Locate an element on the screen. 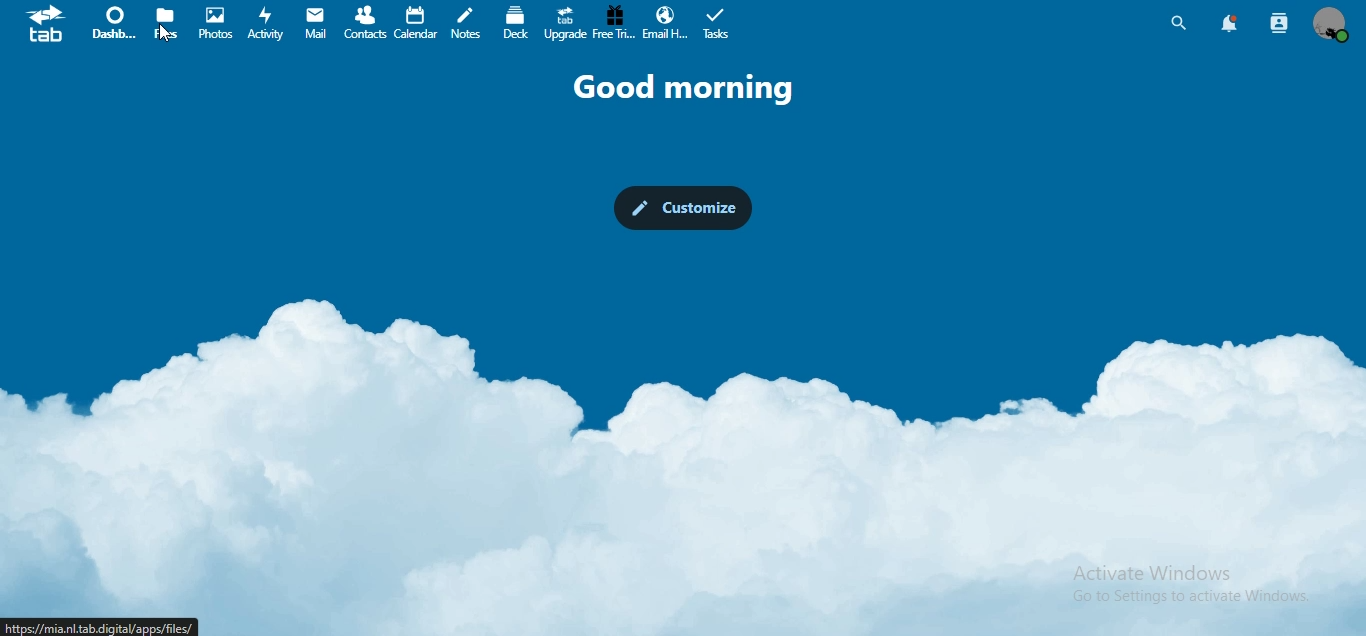 The image size is (1366, 636). calendar is located at coordinates (413, 21).